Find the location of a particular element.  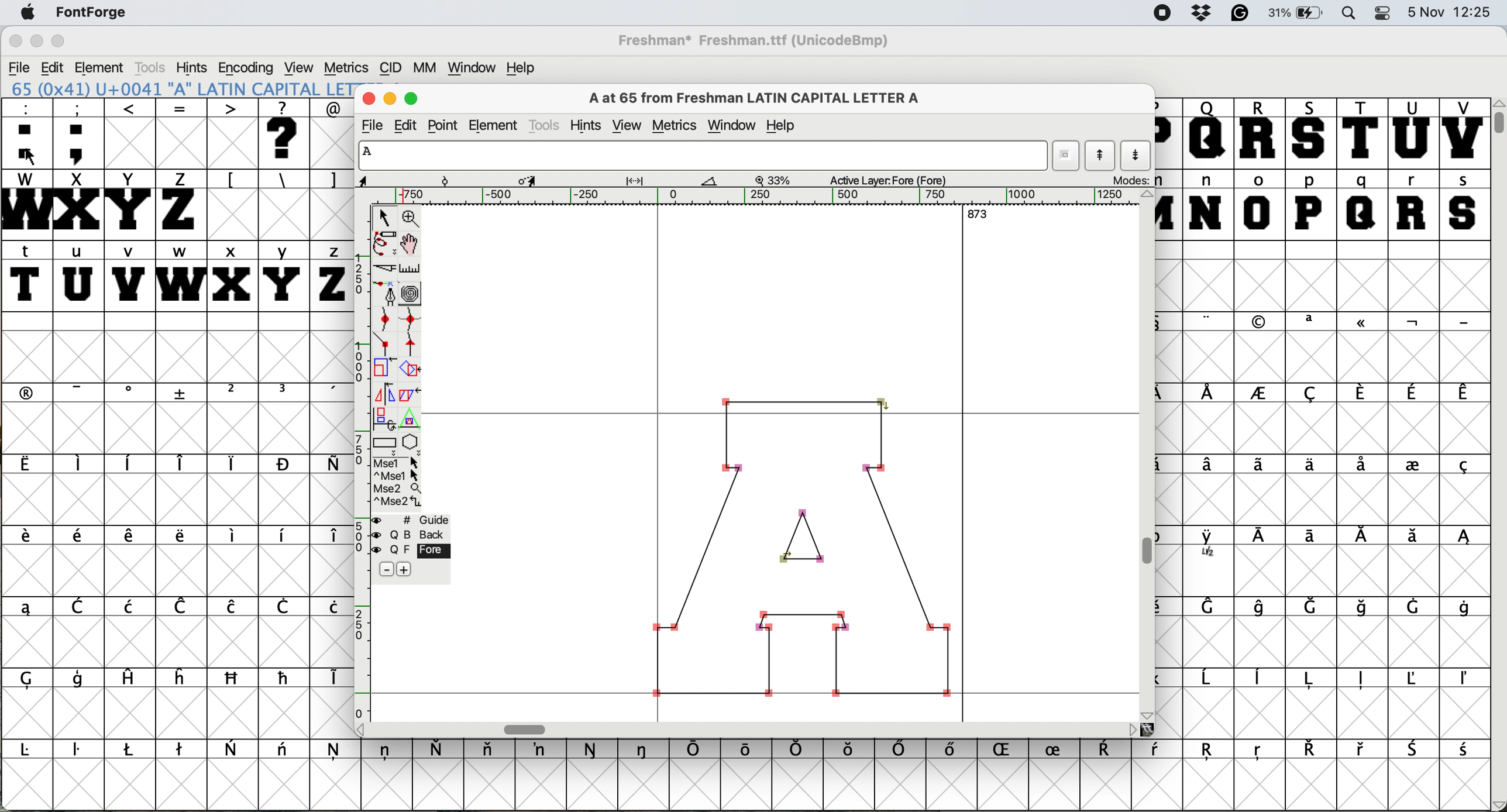

p is located at coordinates (1309, 204).